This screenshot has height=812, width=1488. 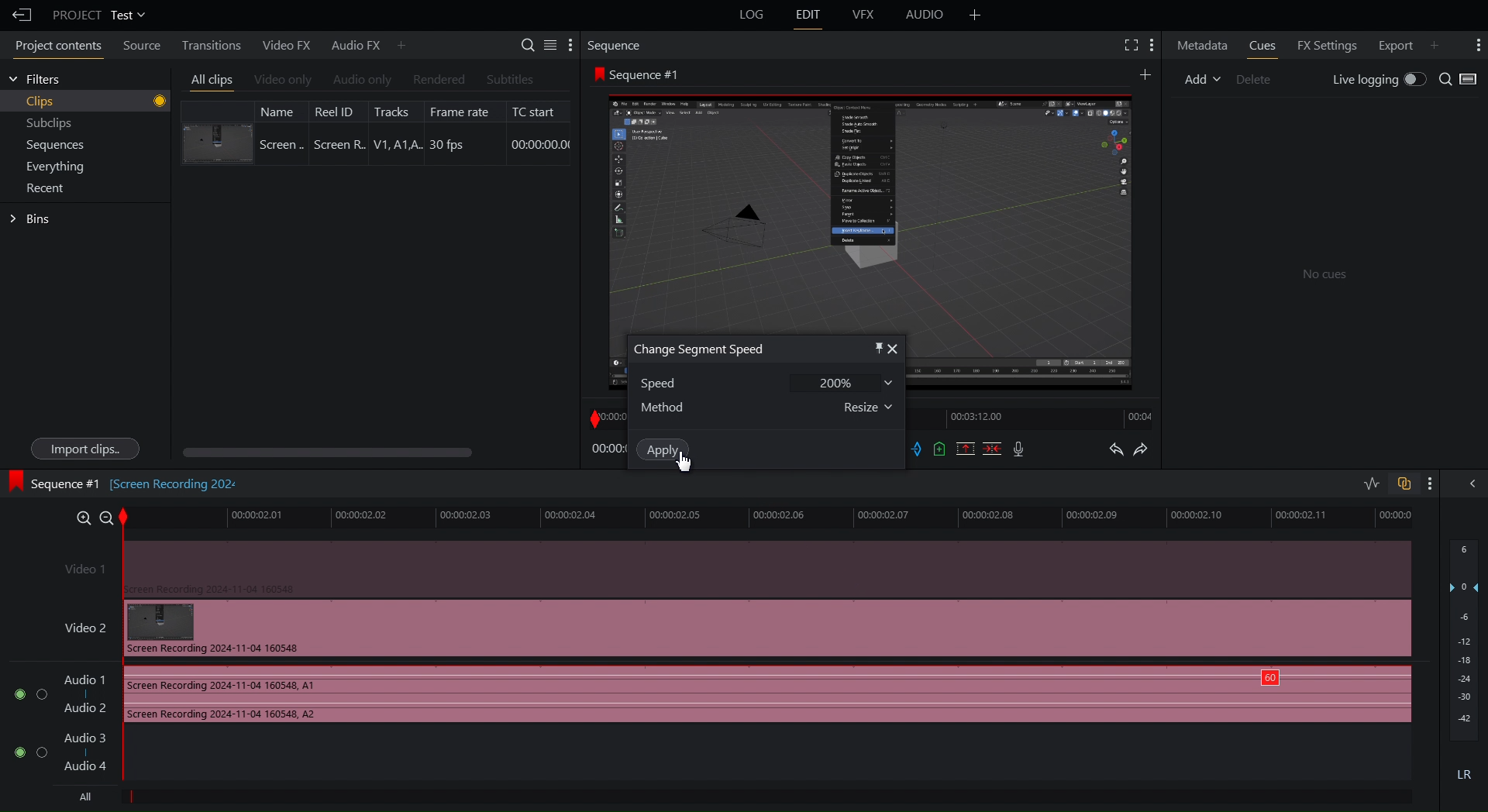 I want to click on Live Logging, so click(x=1376, y=81).